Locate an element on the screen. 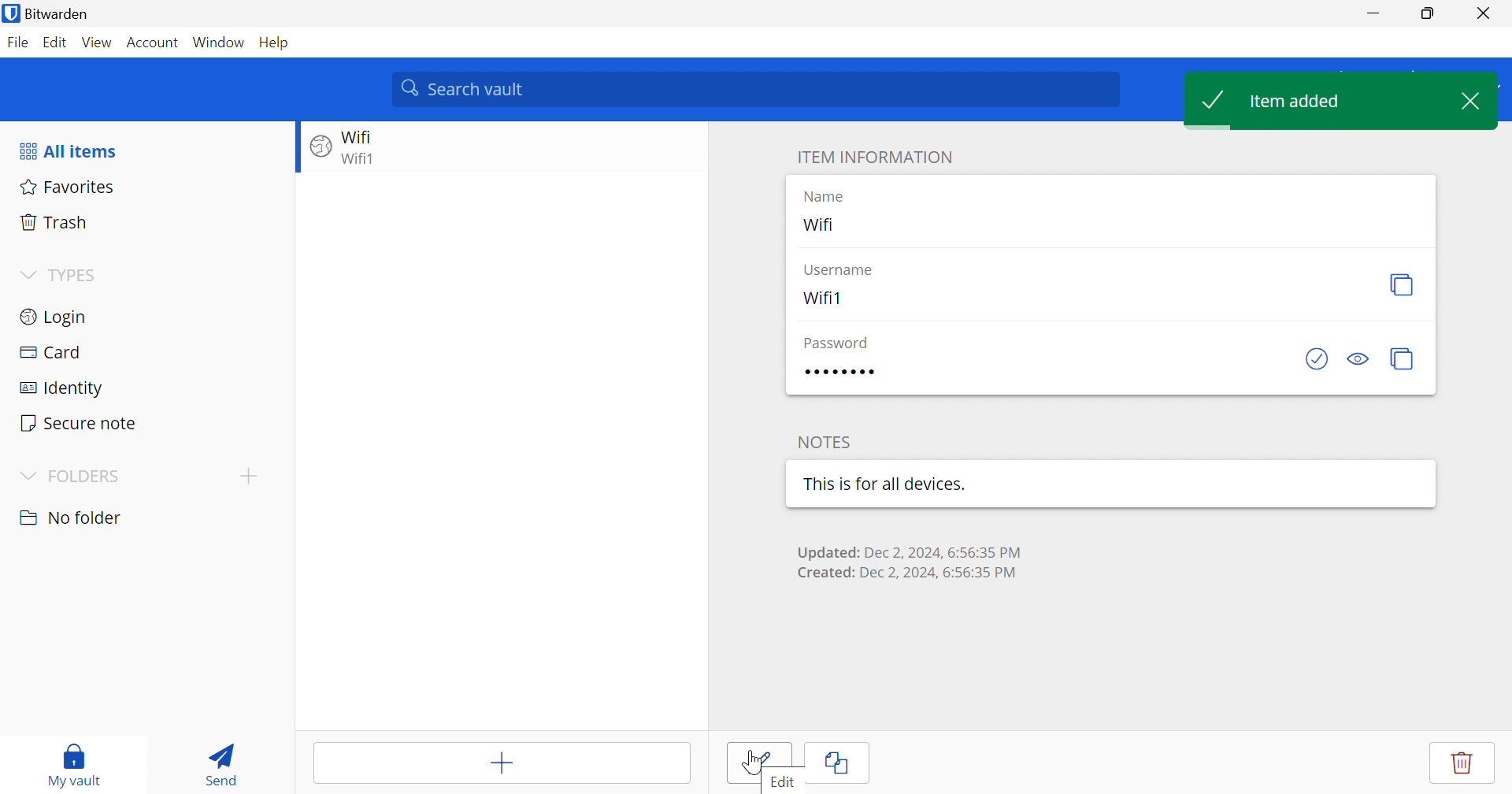 The image size is (1512, 794). Website logo is located at coordinates (321, 142).